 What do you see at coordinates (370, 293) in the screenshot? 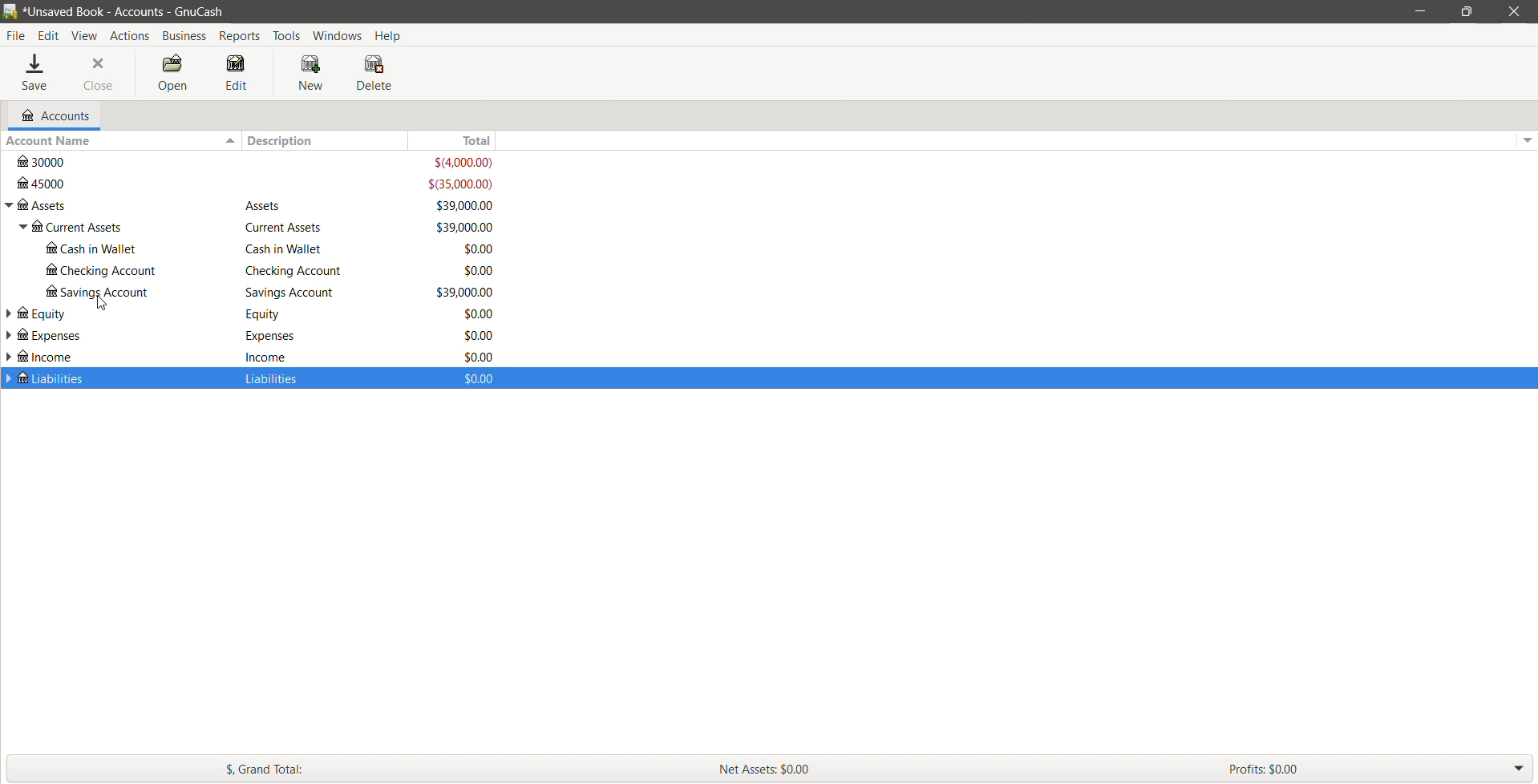
I see `Savings Account - Amount available in the savings account` at bounding box center [370, 293].